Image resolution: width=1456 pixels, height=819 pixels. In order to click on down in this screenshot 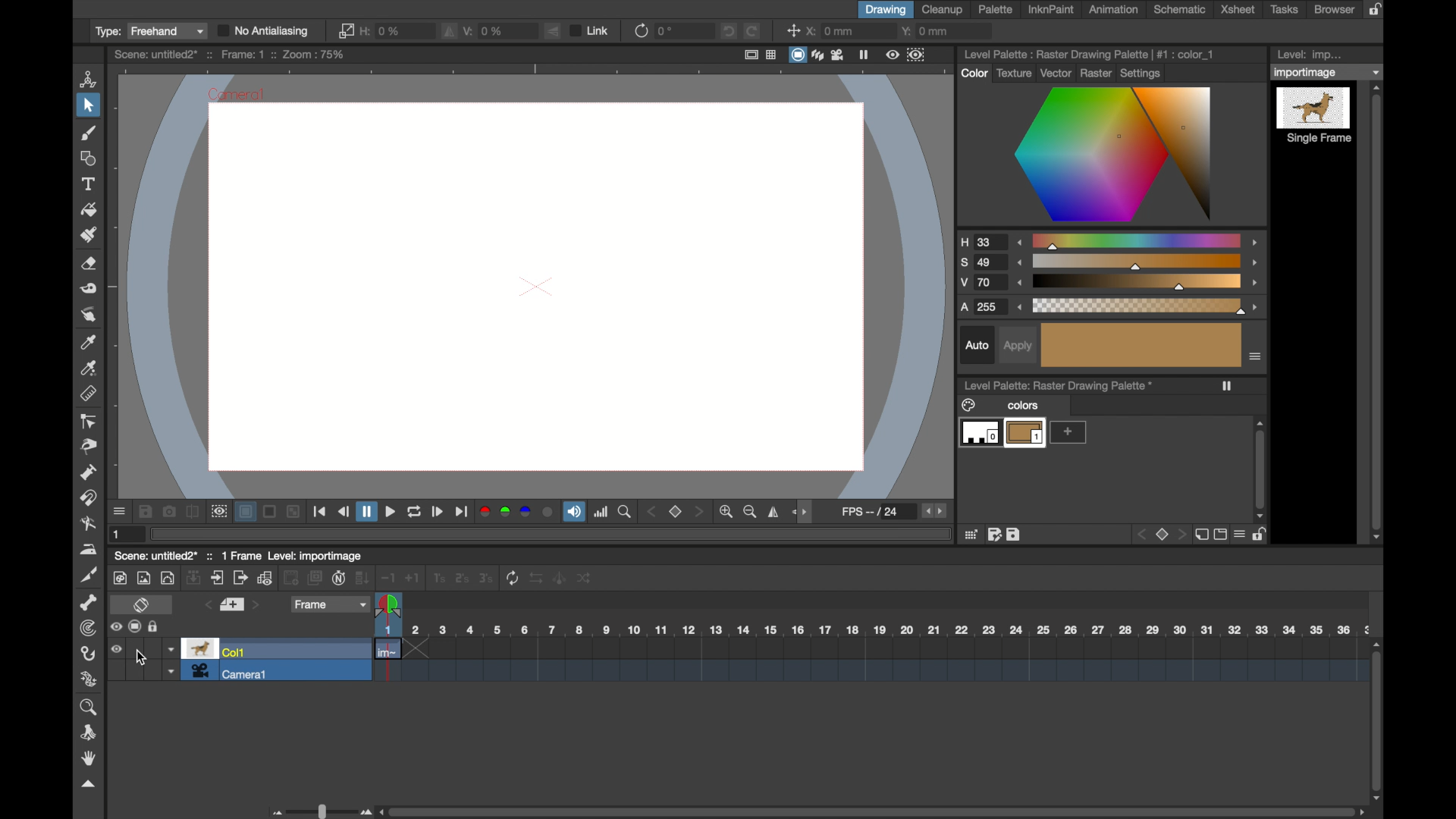, I will do `click(194, 577)`.